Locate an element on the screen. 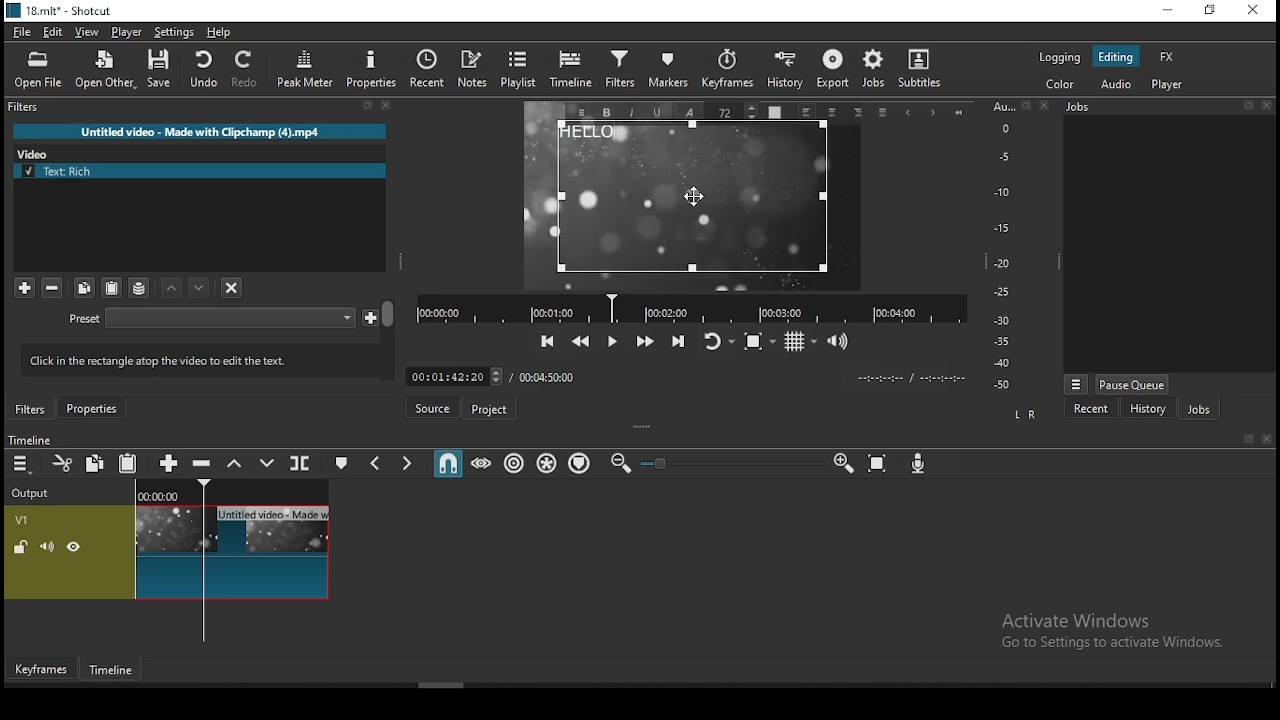 The height and width of the screenshot is (720, 1280). zoom timeline to fit is located at coordinates (878, 463).